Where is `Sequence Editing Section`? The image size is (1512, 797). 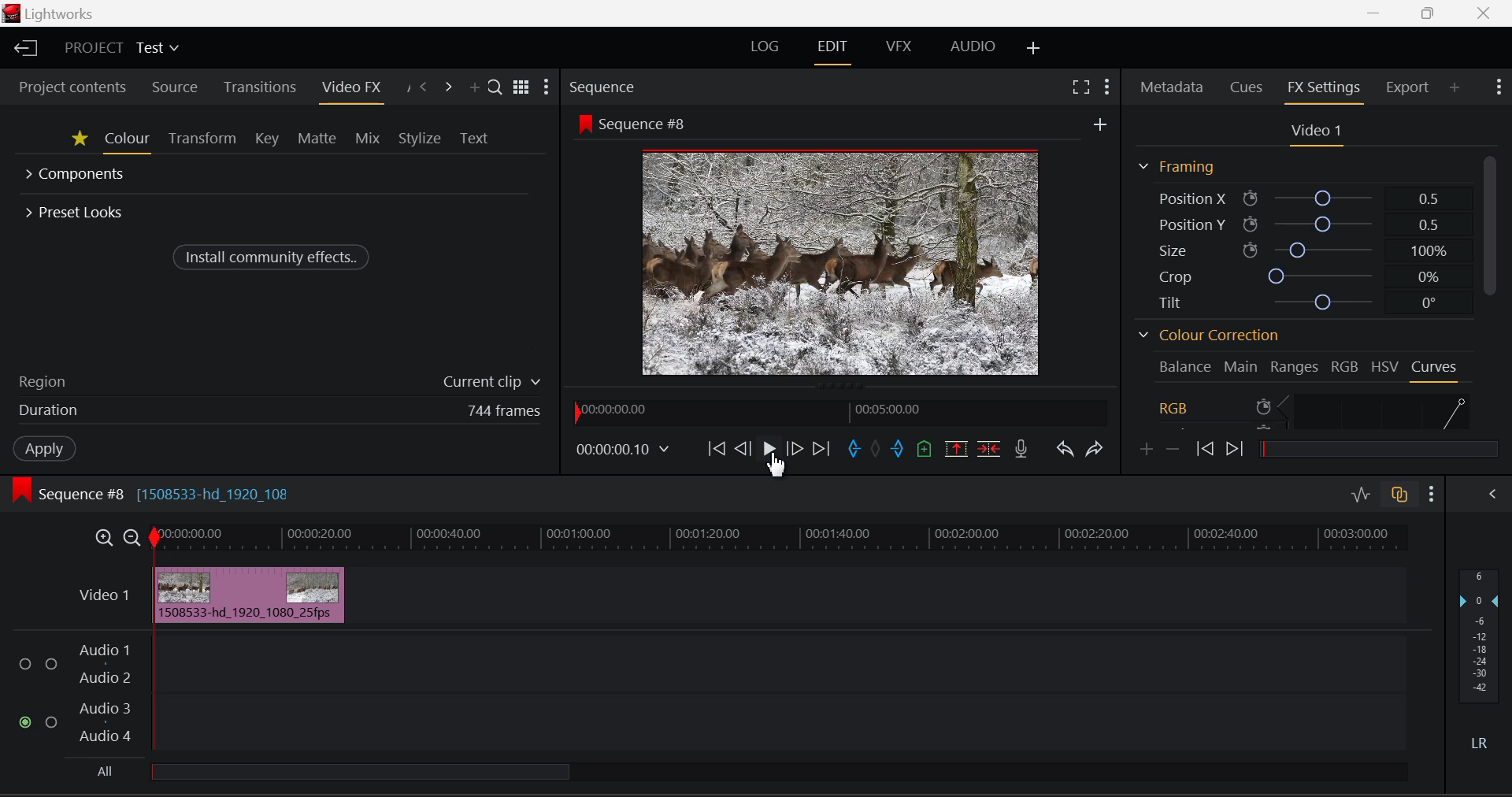 Sequence Editing Section is located at coordinates (154, 494).